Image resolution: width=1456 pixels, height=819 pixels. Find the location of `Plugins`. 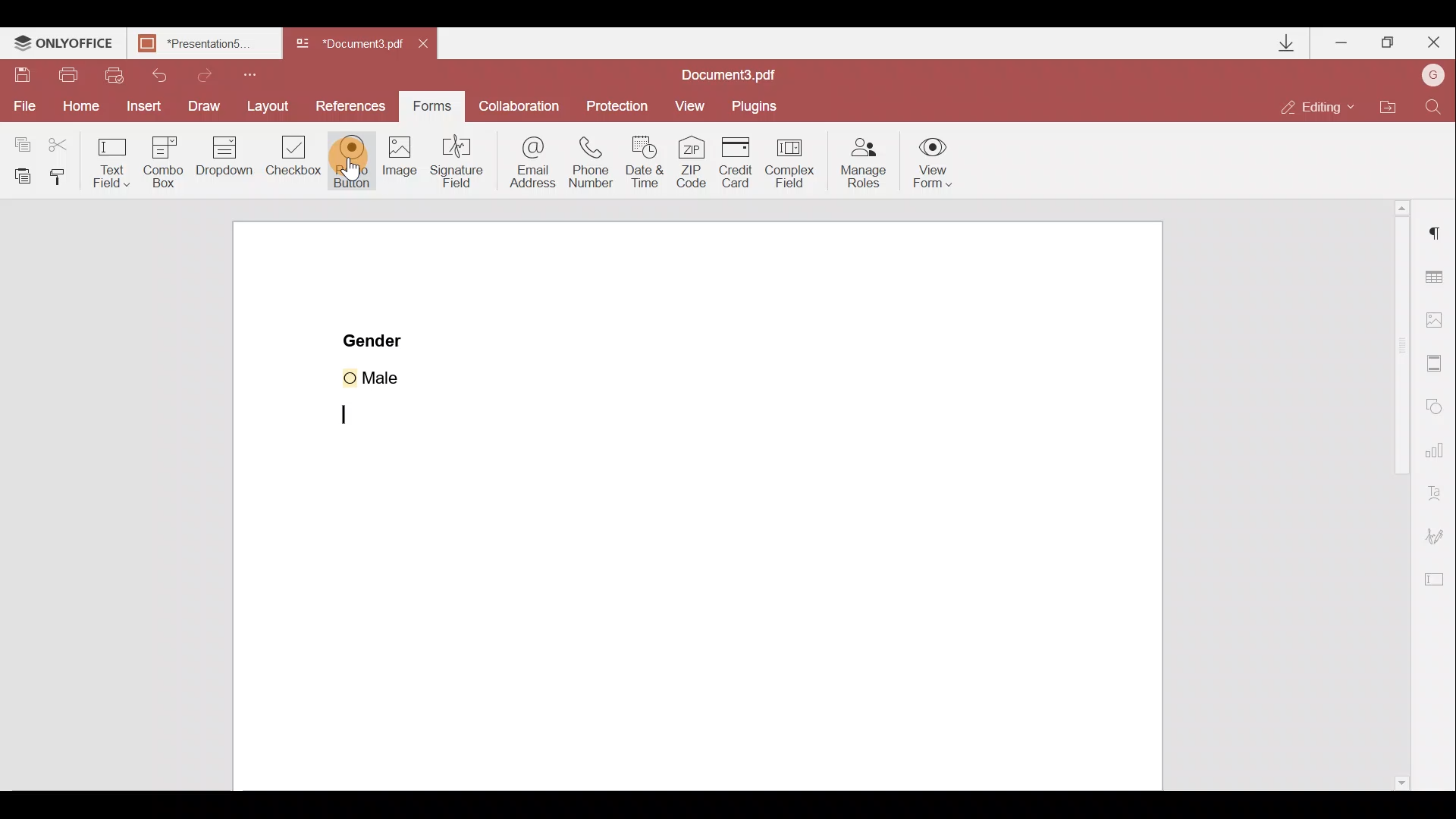

Plugins is located at coordinates (760, 103).